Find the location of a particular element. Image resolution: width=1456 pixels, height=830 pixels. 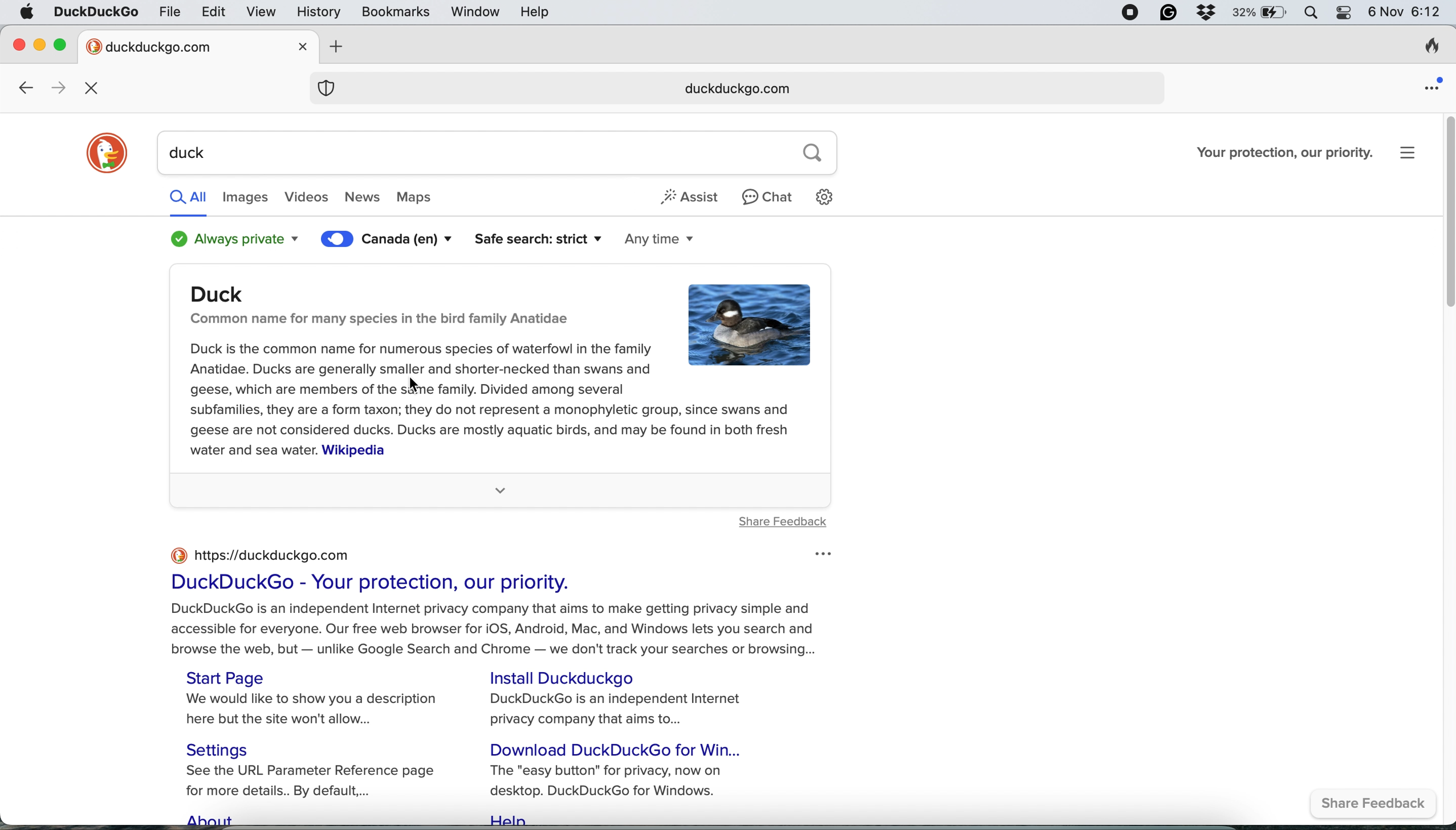

close is located at coordinates (304, 46).